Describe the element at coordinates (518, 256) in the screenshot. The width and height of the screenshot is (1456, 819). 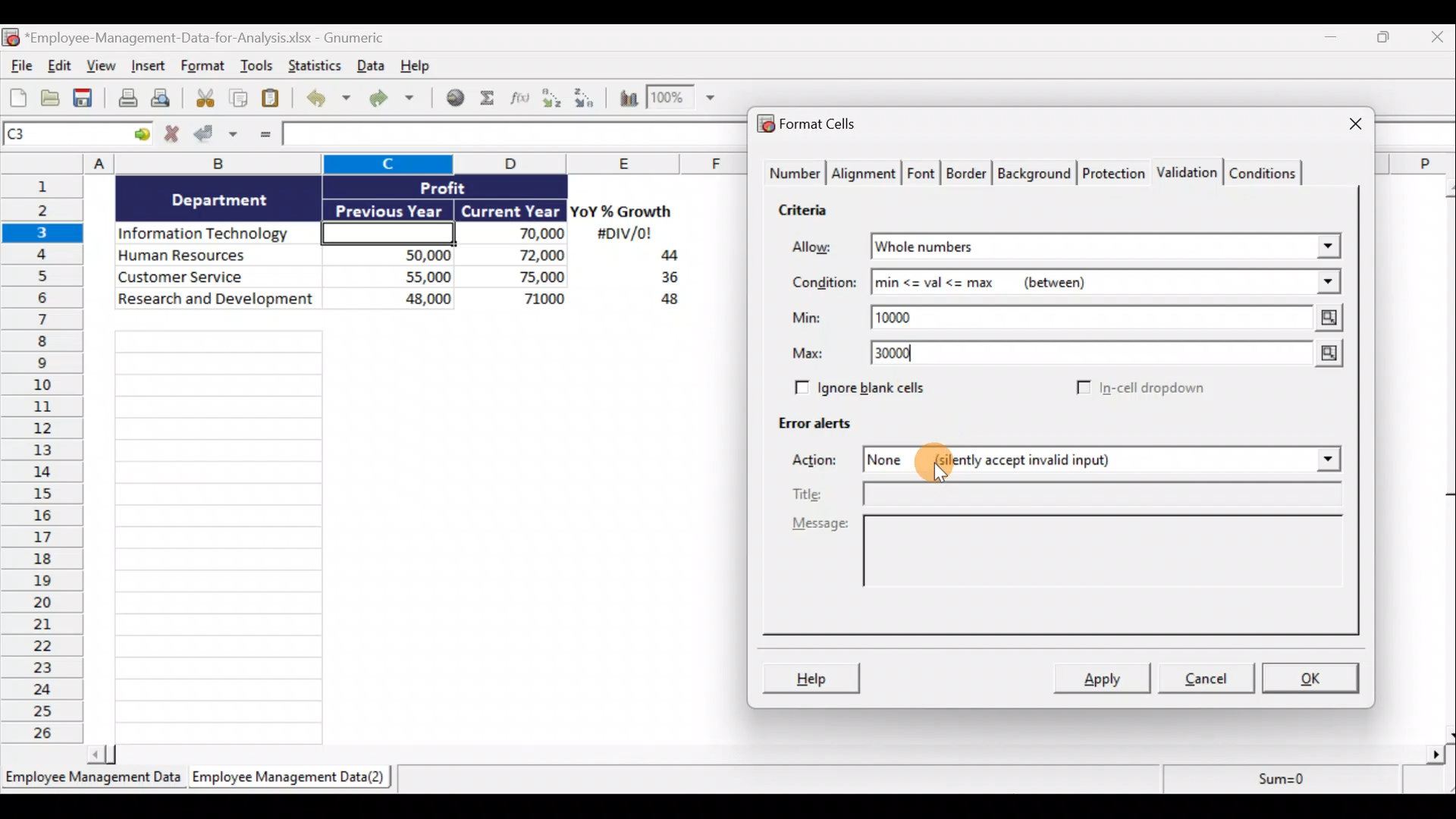
I see `72,000` at that location.